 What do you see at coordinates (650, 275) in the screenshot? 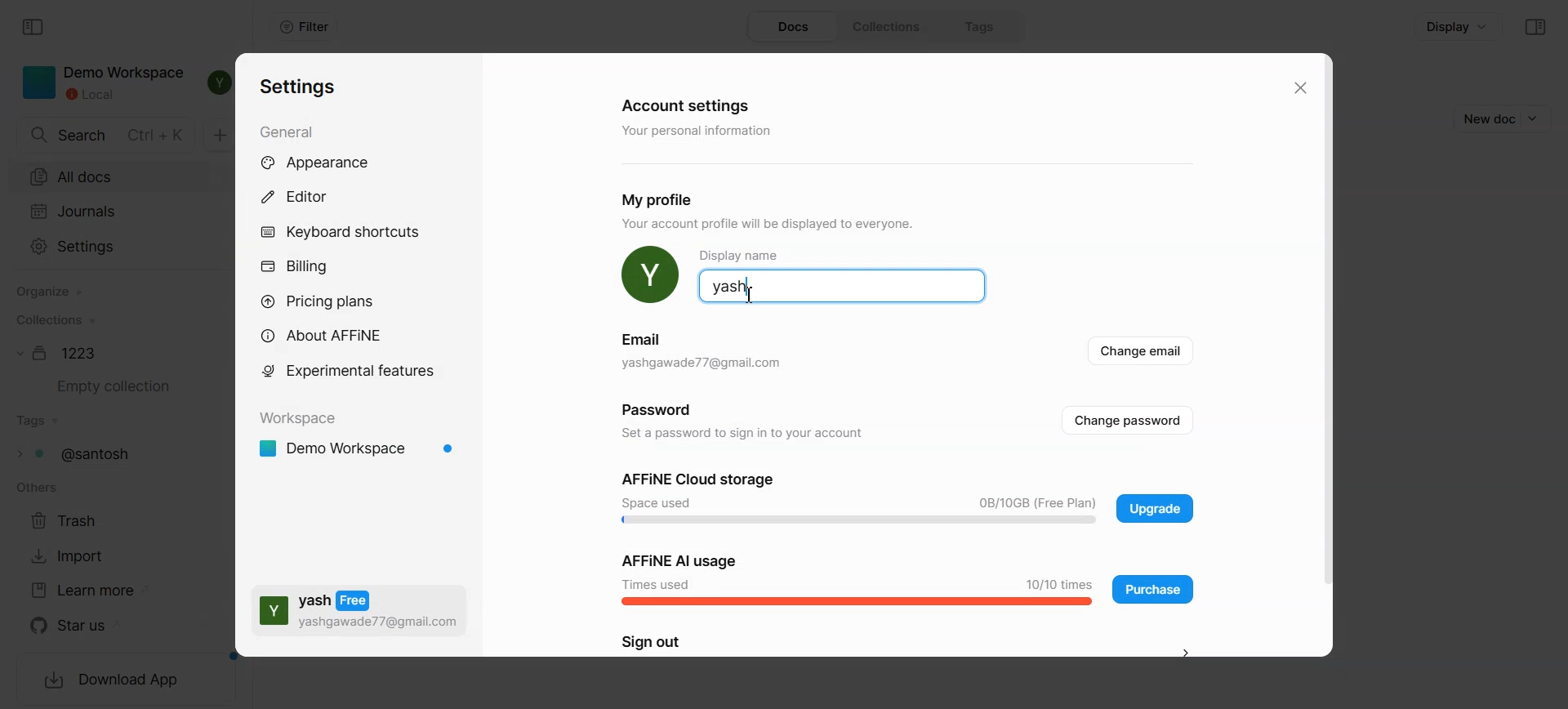
I see `Profile Pic` at bounding box center [650, 275].